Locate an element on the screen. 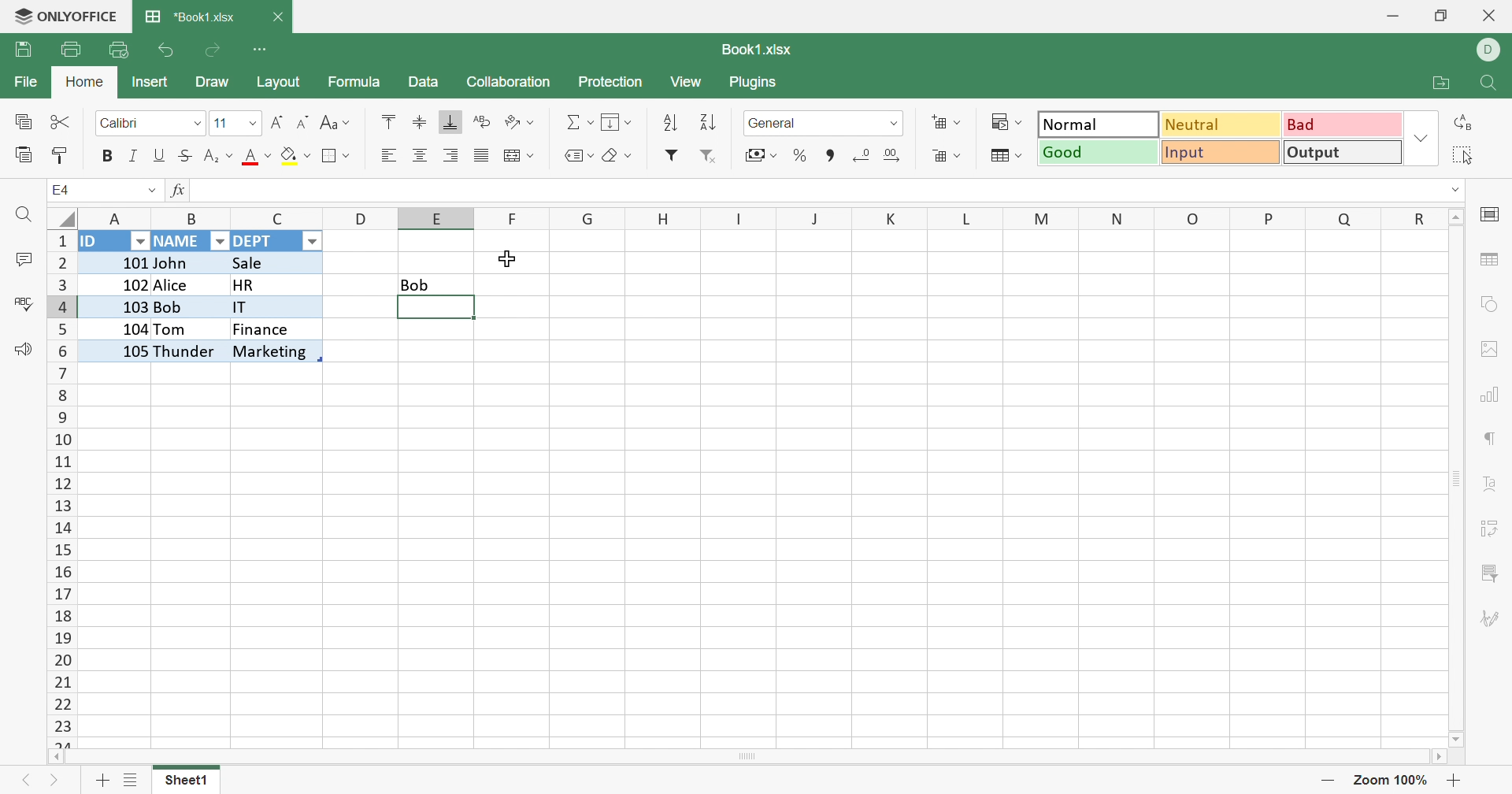 Image resolution: width=1512 pixels, height=794 pixels. Fill color is located at coordinates (296, 155).